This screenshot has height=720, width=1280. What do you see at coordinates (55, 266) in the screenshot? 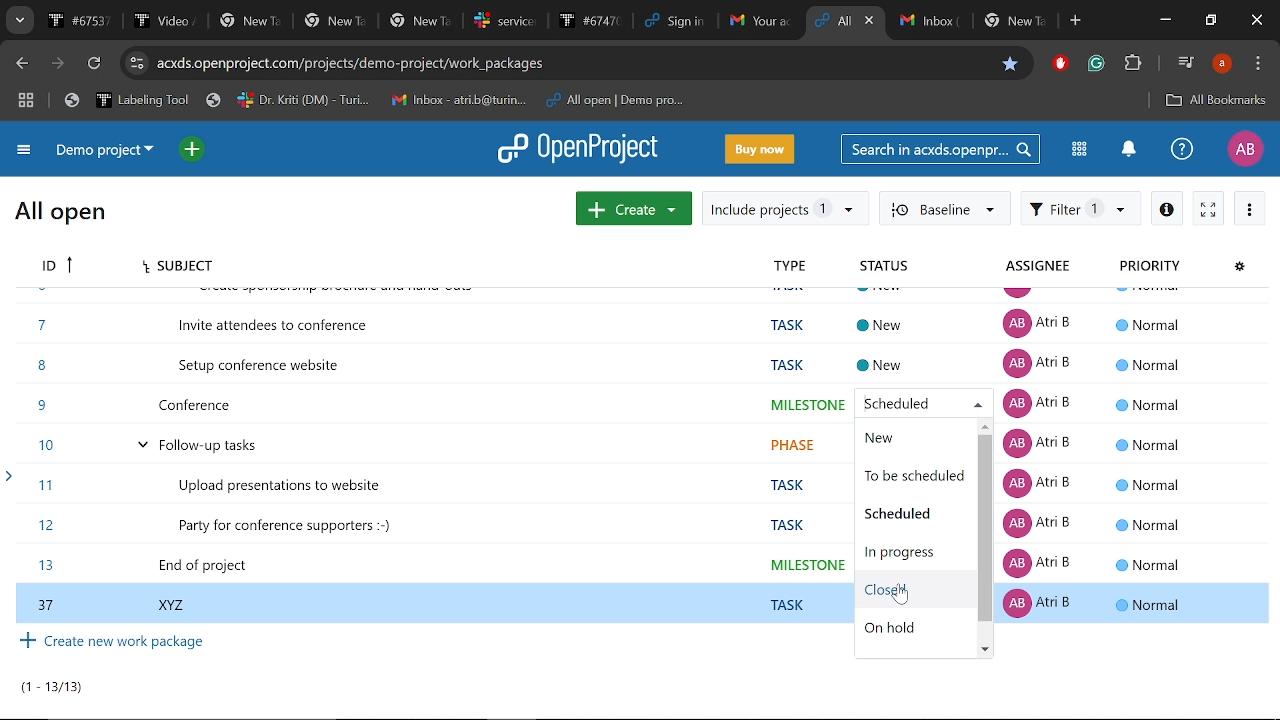
I see `Task Id` at bounding box center [55, 266].